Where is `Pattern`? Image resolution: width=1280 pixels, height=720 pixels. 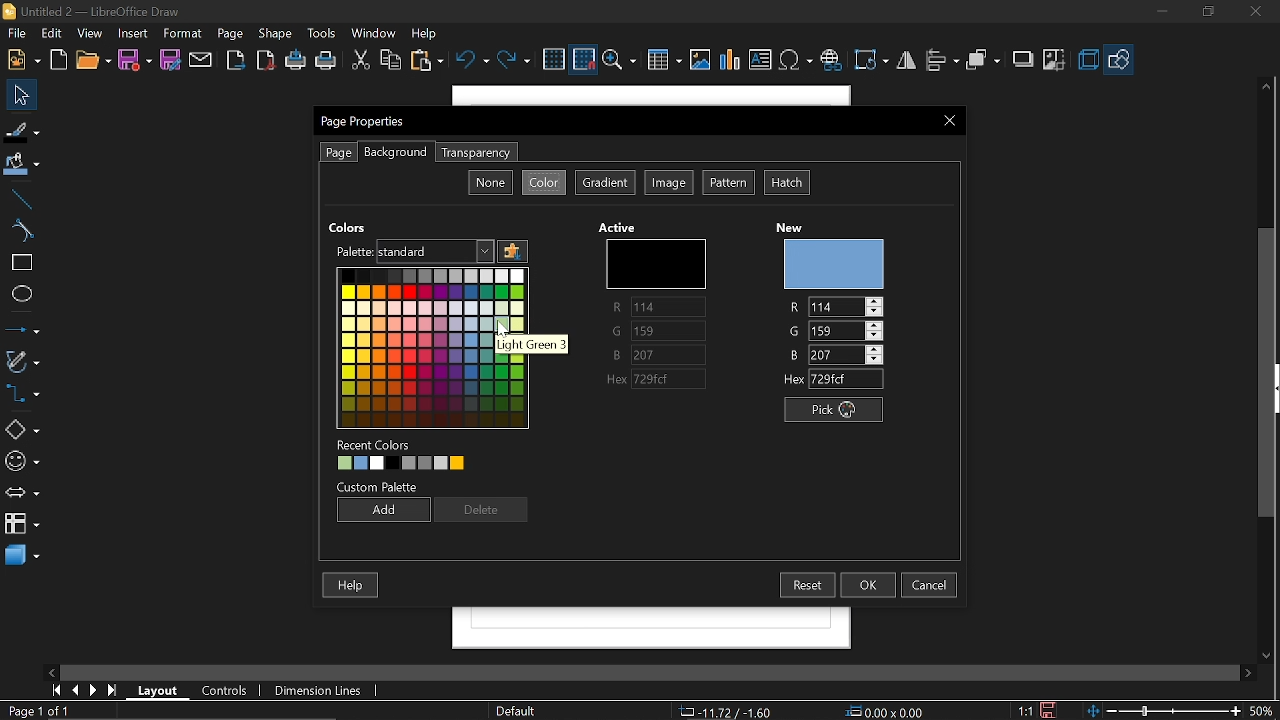 Pattern is located at coordinates (729, 183).